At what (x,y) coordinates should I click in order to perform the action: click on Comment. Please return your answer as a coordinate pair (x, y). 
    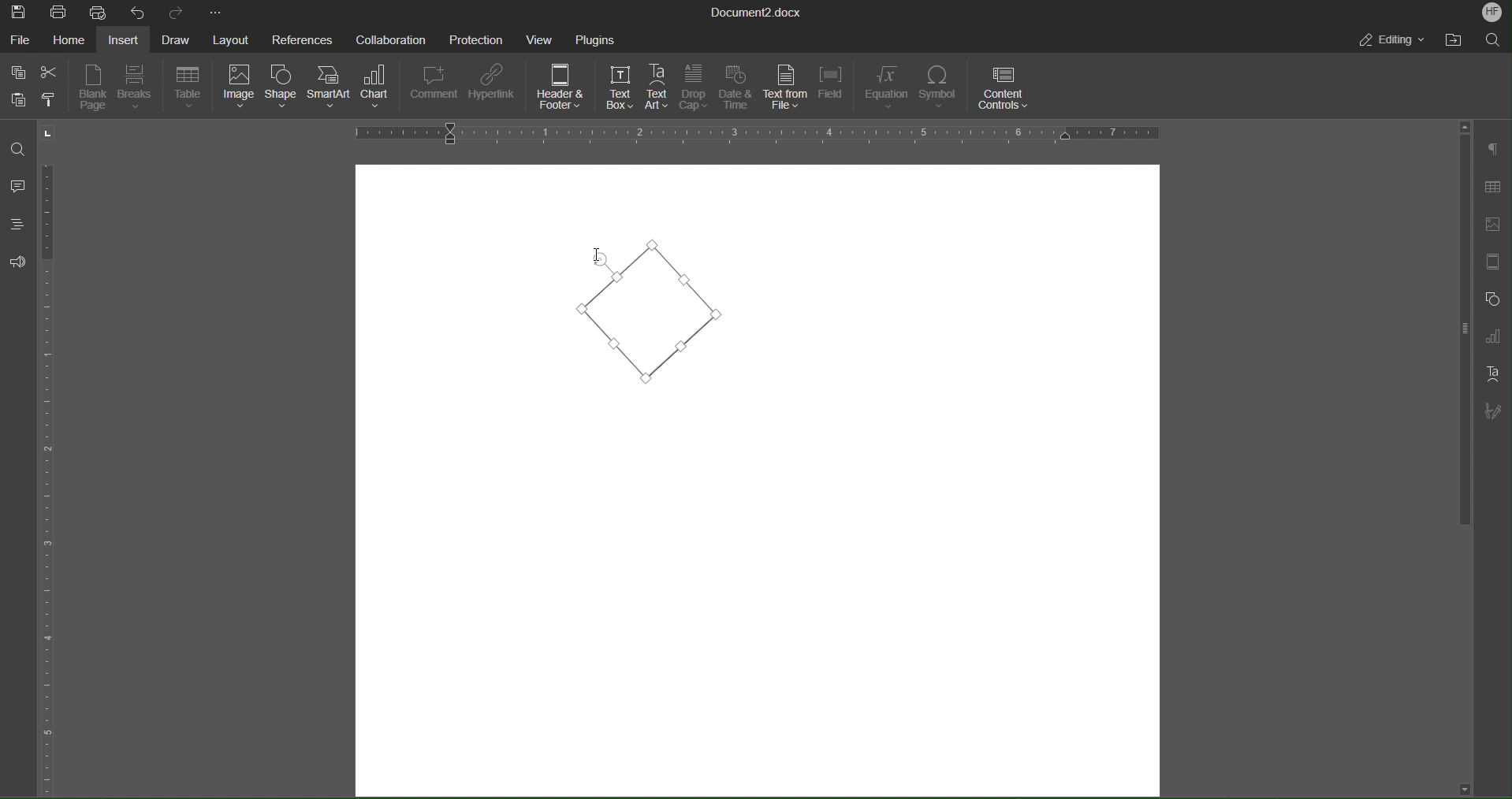
    Looking at the image, I should click on (434, 88).